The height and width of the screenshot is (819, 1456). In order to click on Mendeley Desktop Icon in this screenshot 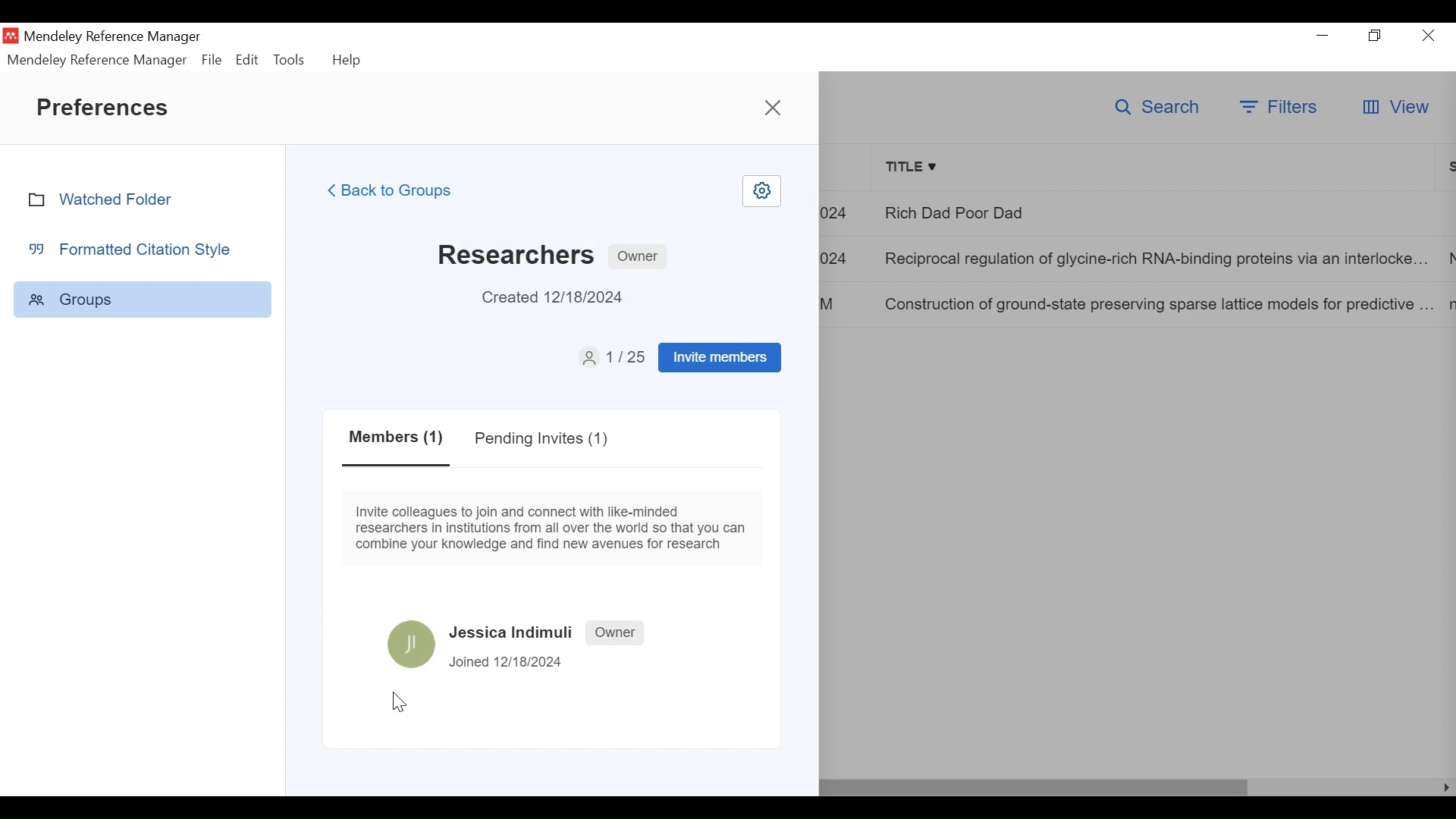, I will do `click(11, 36)`.